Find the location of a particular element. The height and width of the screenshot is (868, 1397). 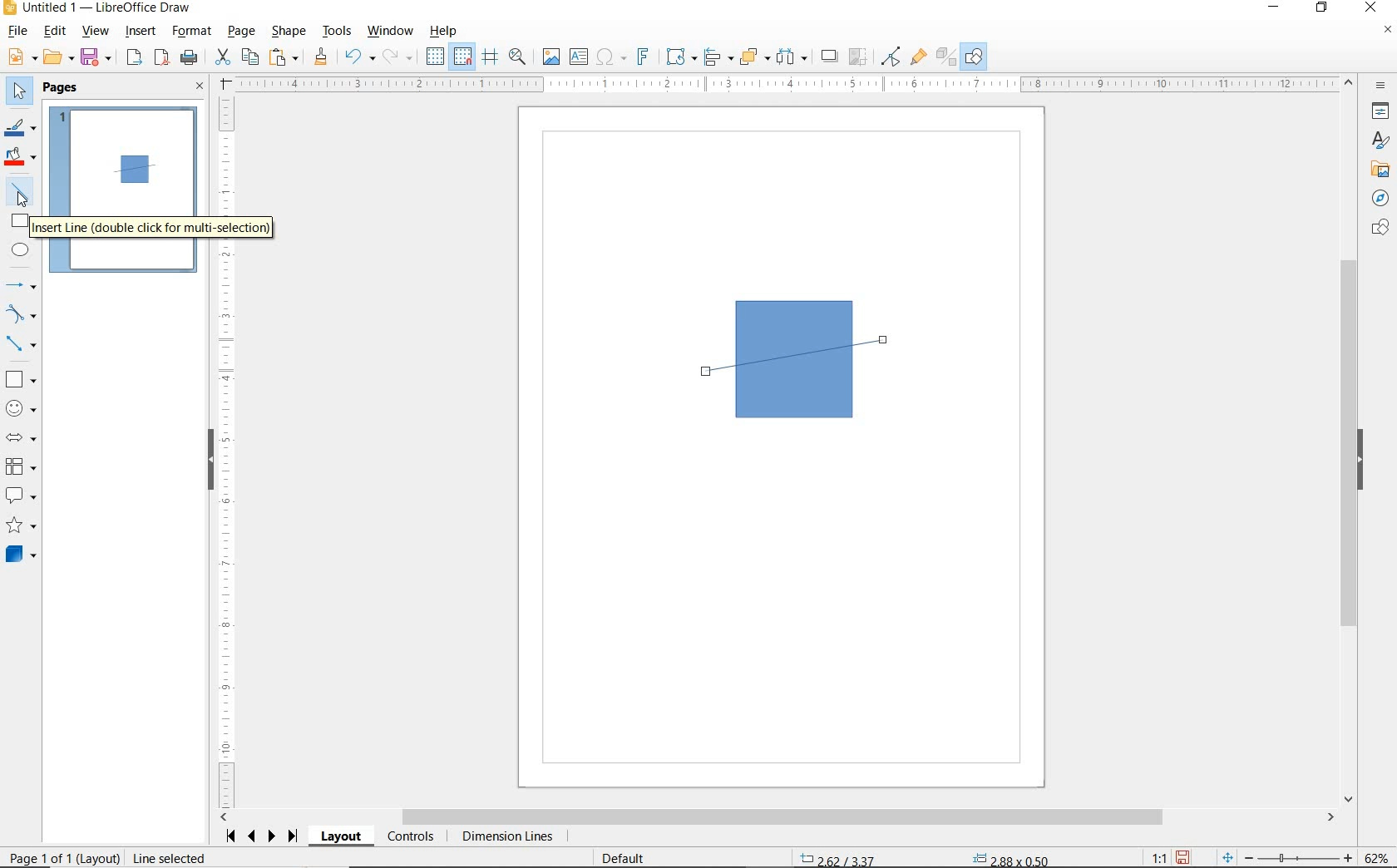

ZOOM OUT OR ZOOM IN is located at coordinates (1288, 855).